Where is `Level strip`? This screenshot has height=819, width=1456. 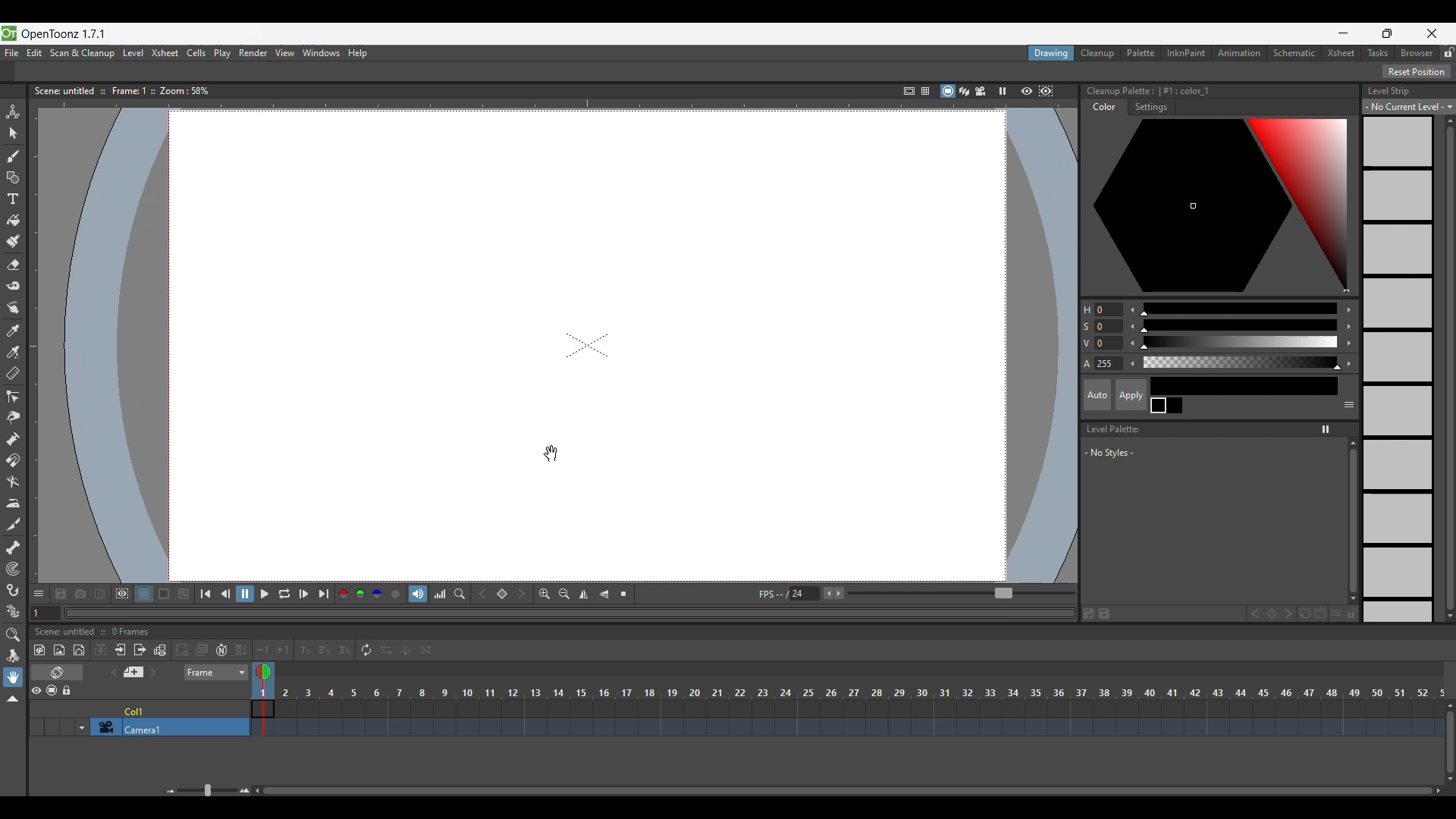
Level strip is located at coordinates (1401, 370).